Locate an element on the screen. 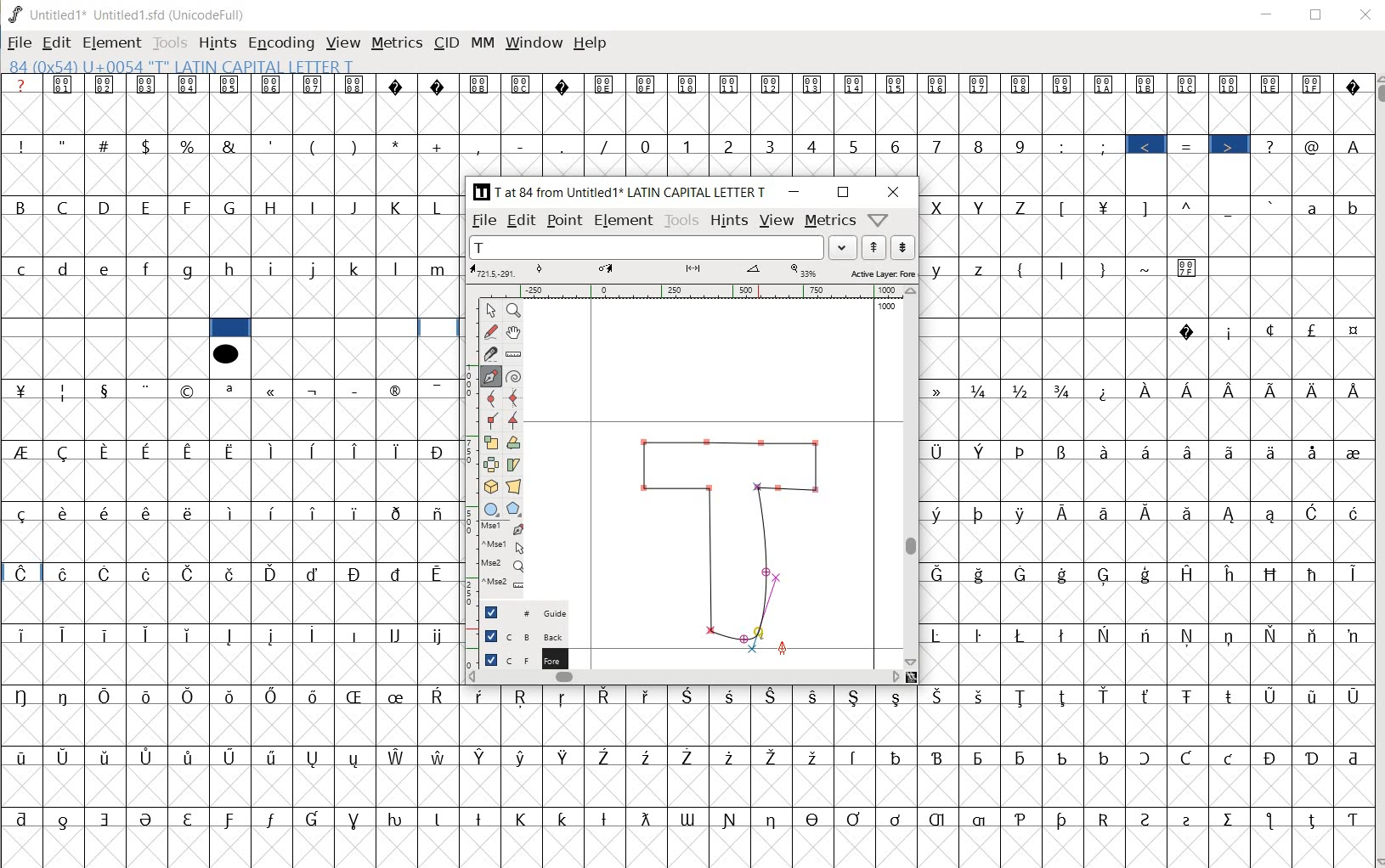 This screenshot has height=868, width=1385. Symbol is located at coordinates (1272, 696).